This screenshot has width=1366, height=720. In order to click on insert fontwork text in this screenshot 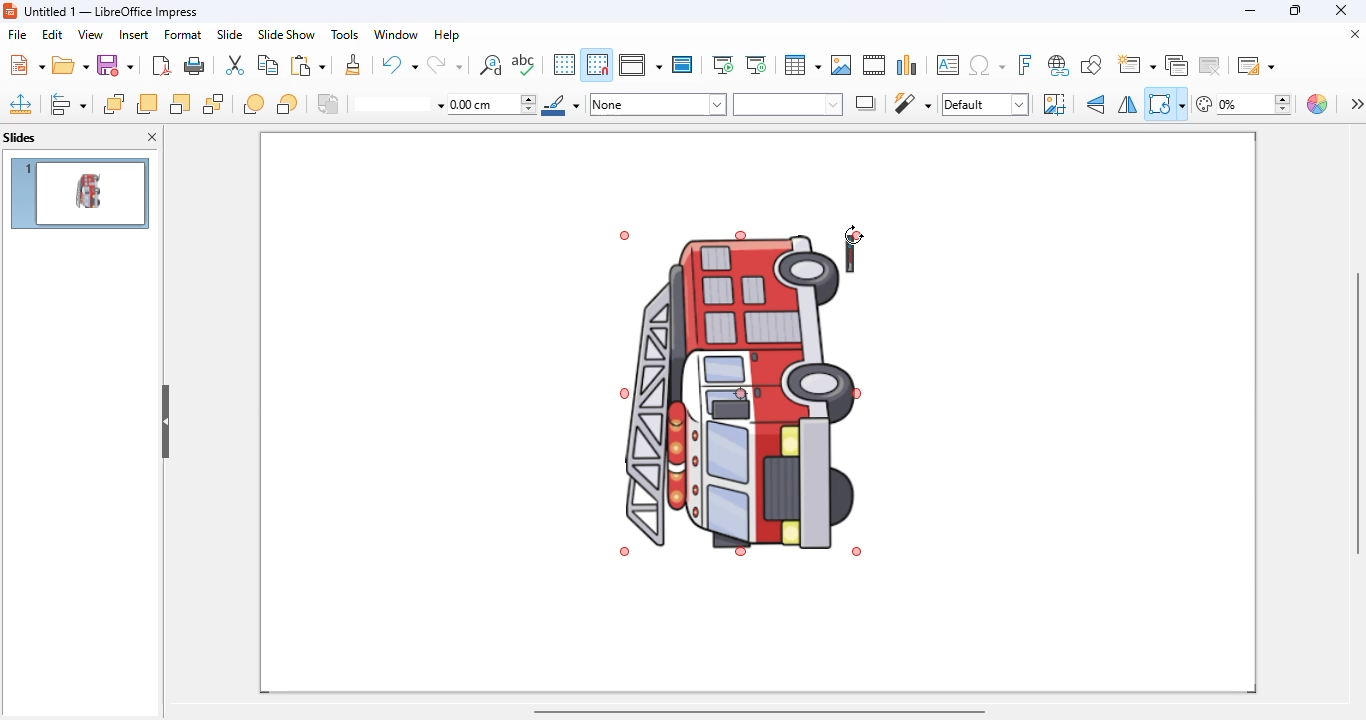, I will do `click(1026, 64)`.